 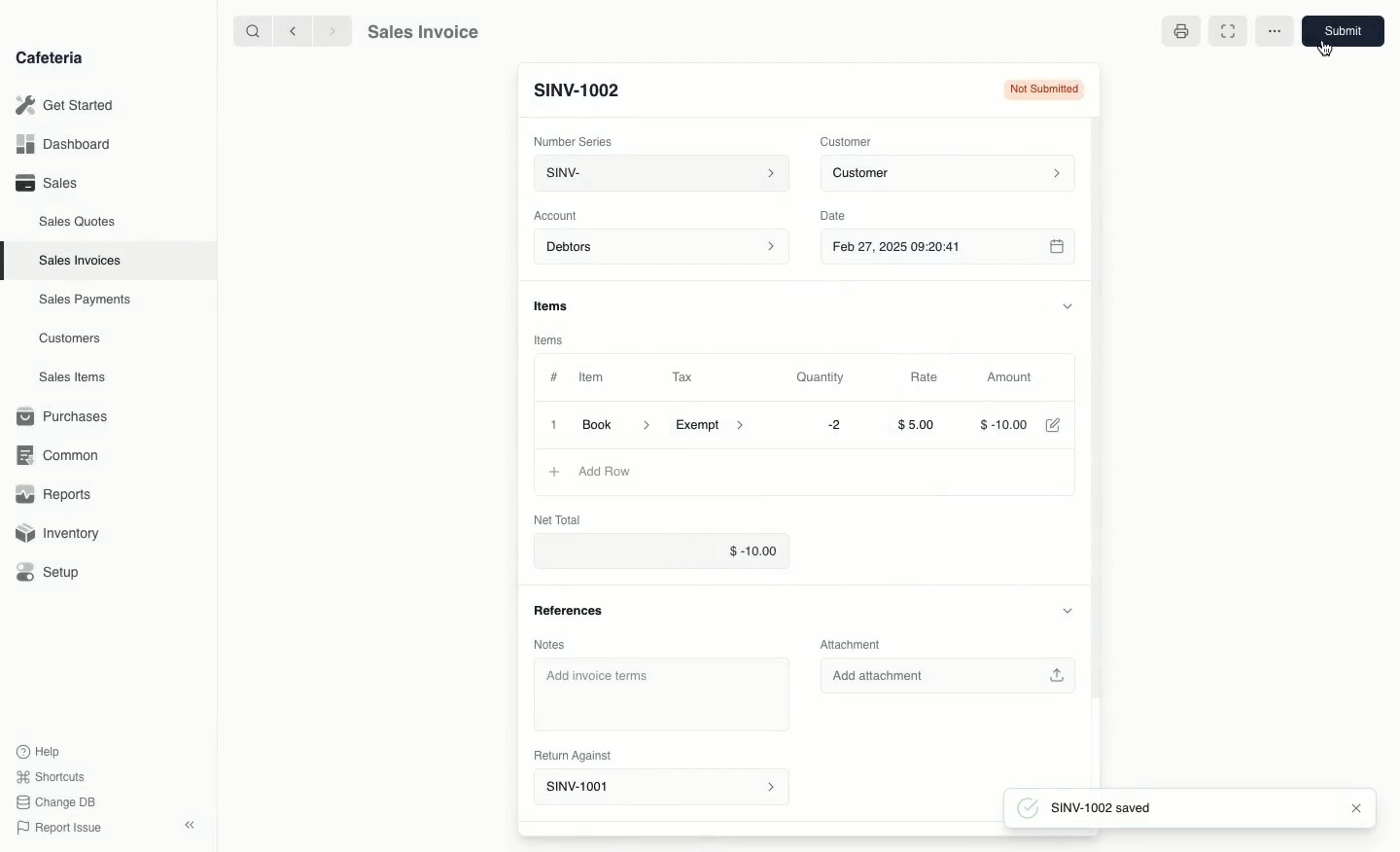 I want to click on Feb 27, 2025 09:19:04, so click(x=956, y=248).